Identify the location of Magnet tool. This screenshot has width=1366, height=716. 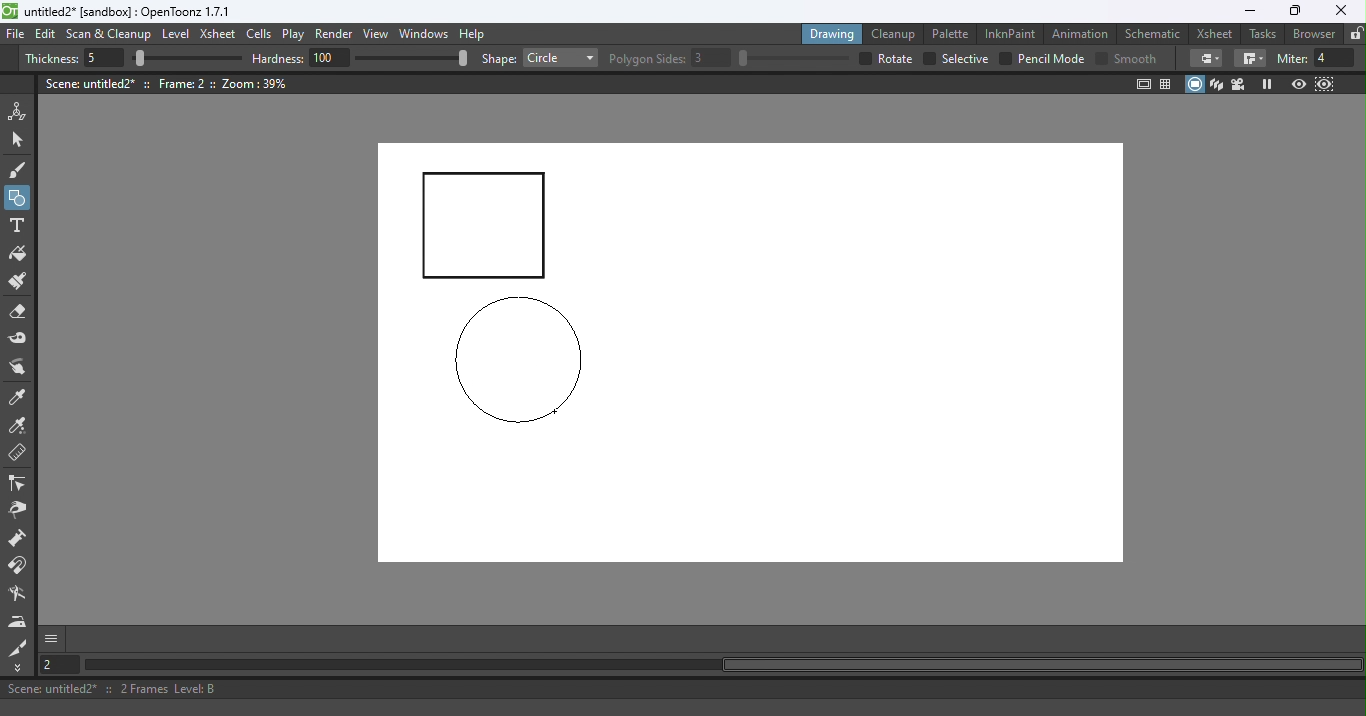
(19, 540).